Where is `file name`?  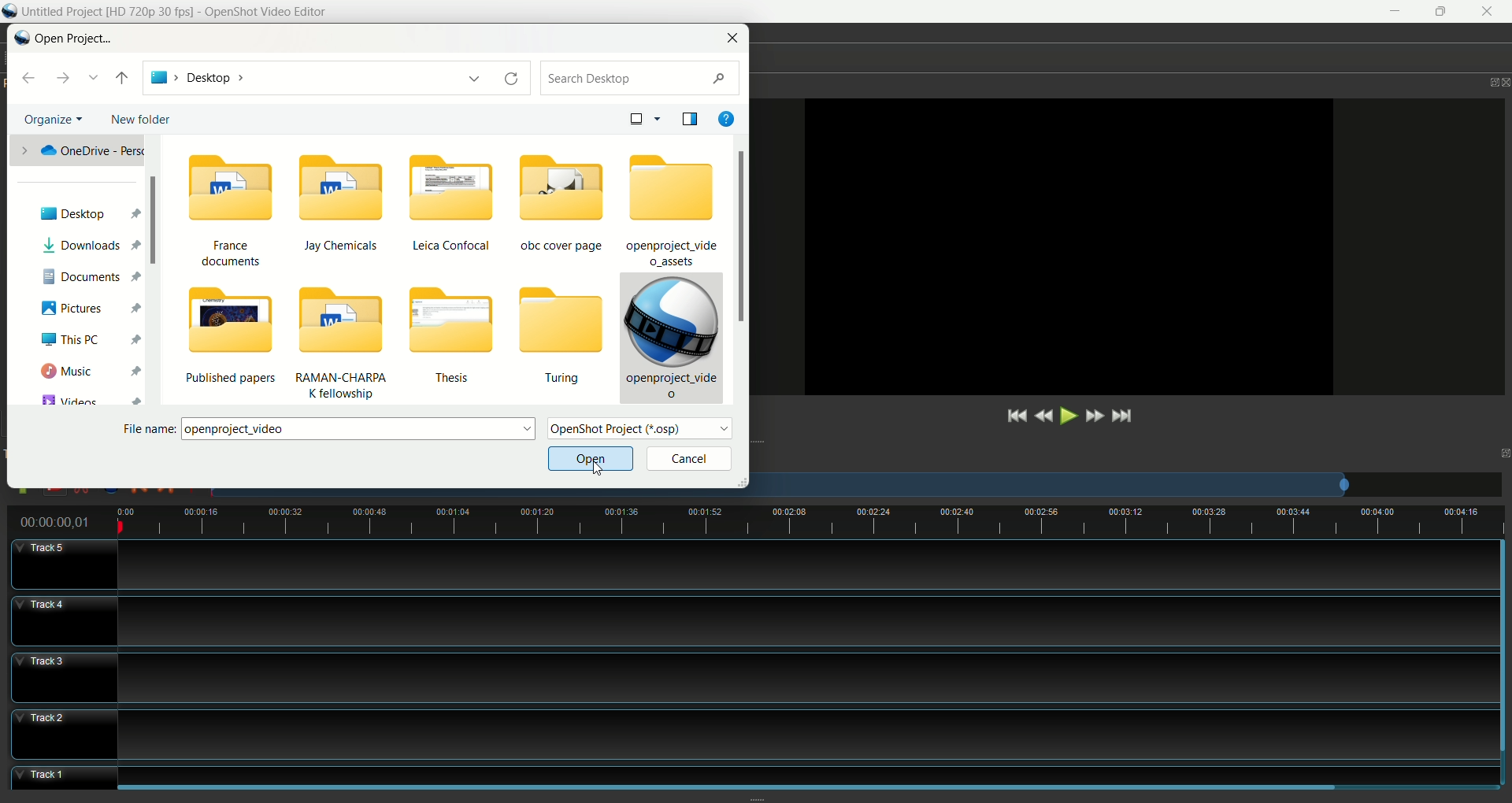
file name is located at coordinates (332, 427).